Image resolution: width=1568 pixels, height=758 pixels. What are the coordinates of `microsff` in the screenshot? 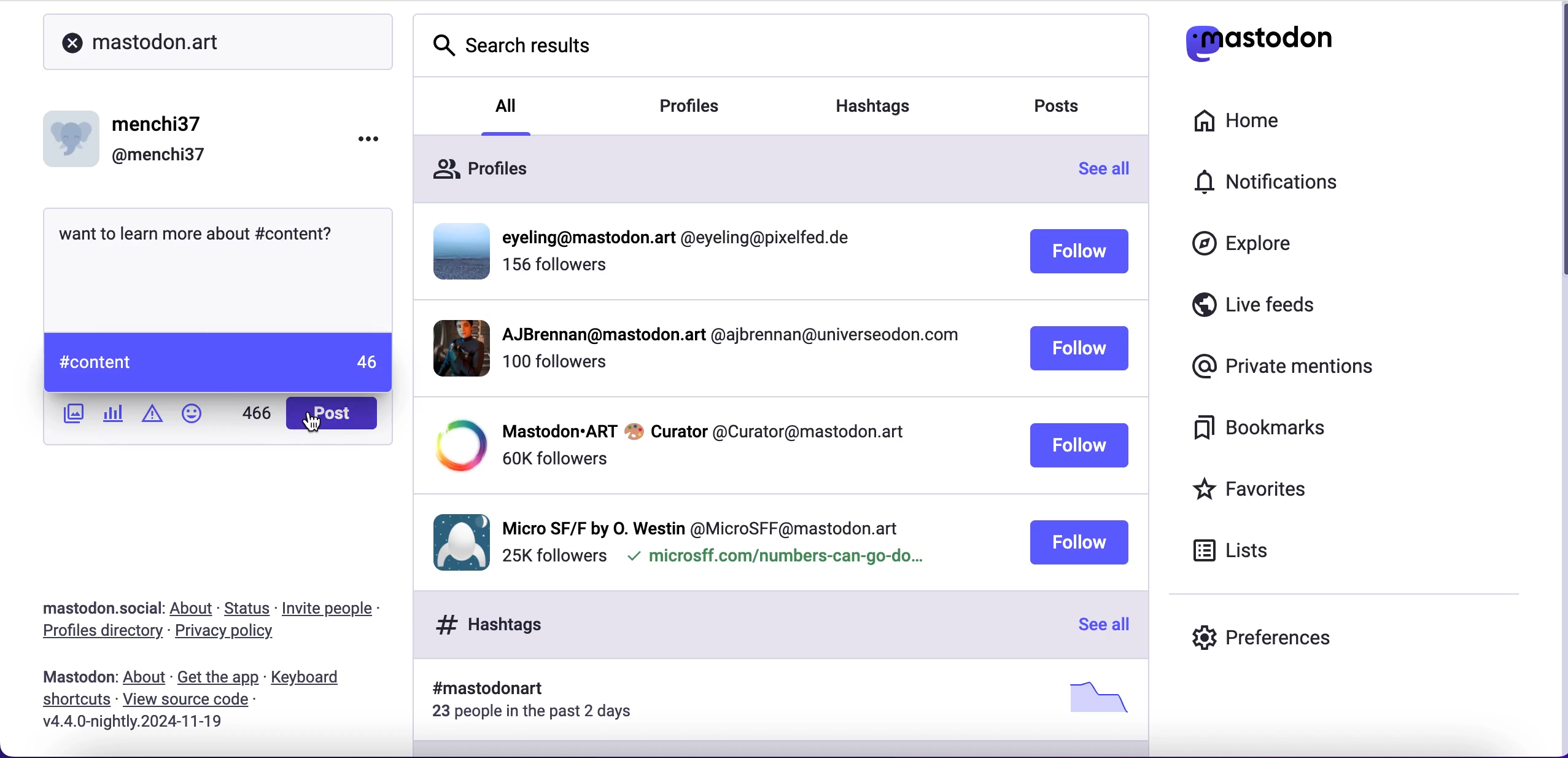 It's located at (774, 559).